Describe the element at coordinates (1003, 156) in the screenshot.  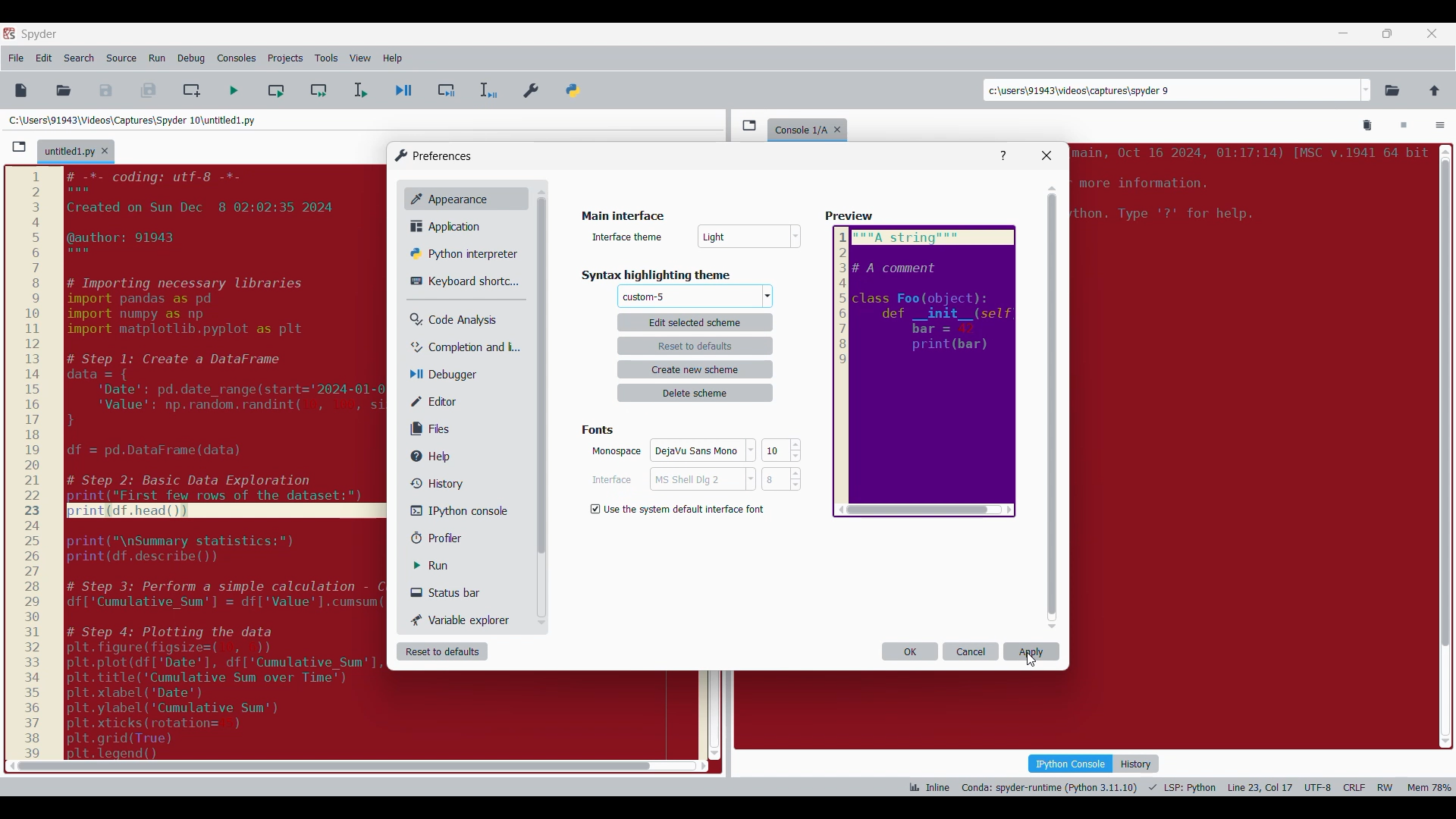
I see `Help` at that location.